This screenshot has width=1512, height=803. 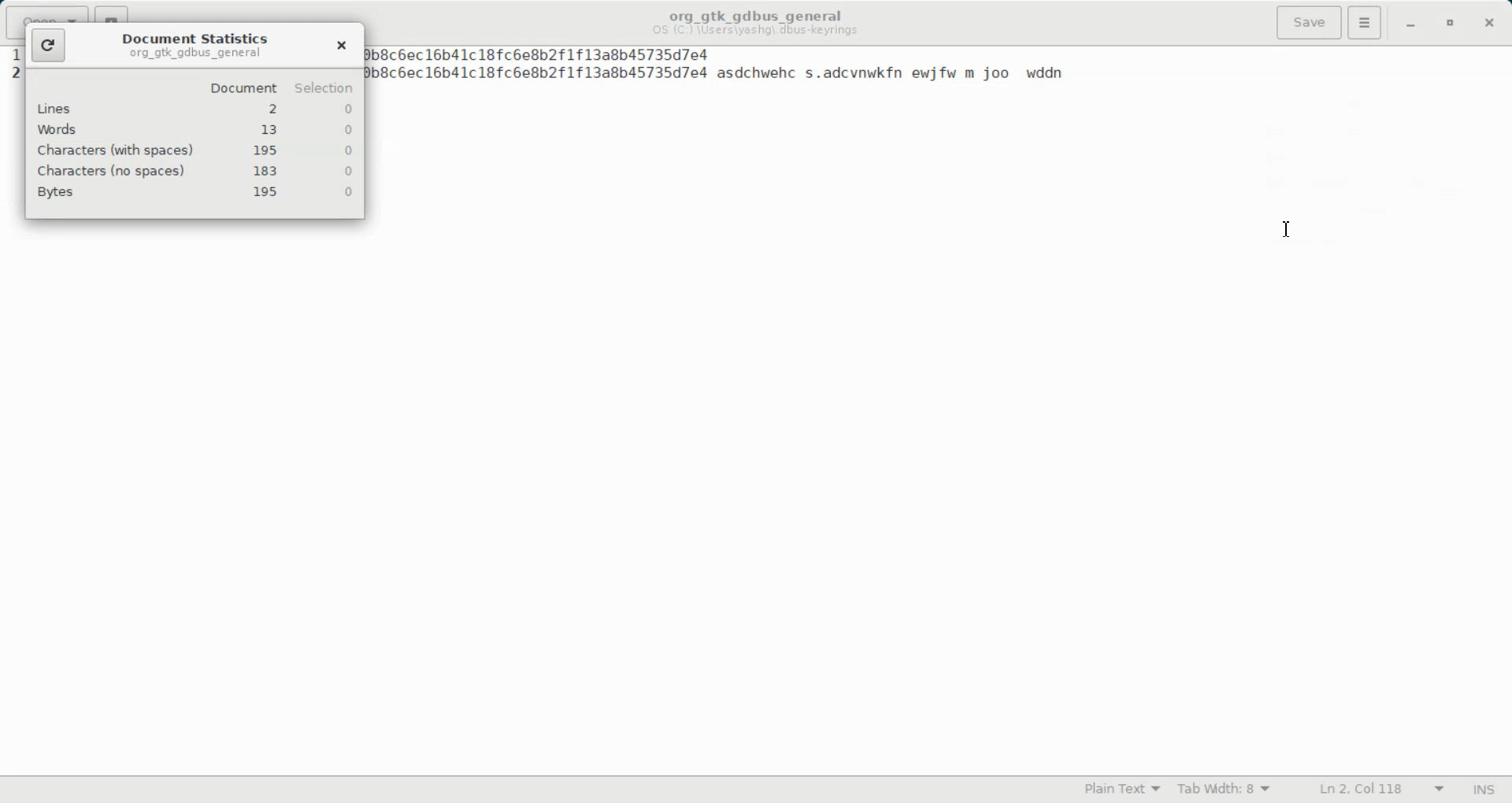 What do you see at coordinates (1287, 229) in the screenshot?
I see `Text Cursor` at bounding box center [1287, 229].